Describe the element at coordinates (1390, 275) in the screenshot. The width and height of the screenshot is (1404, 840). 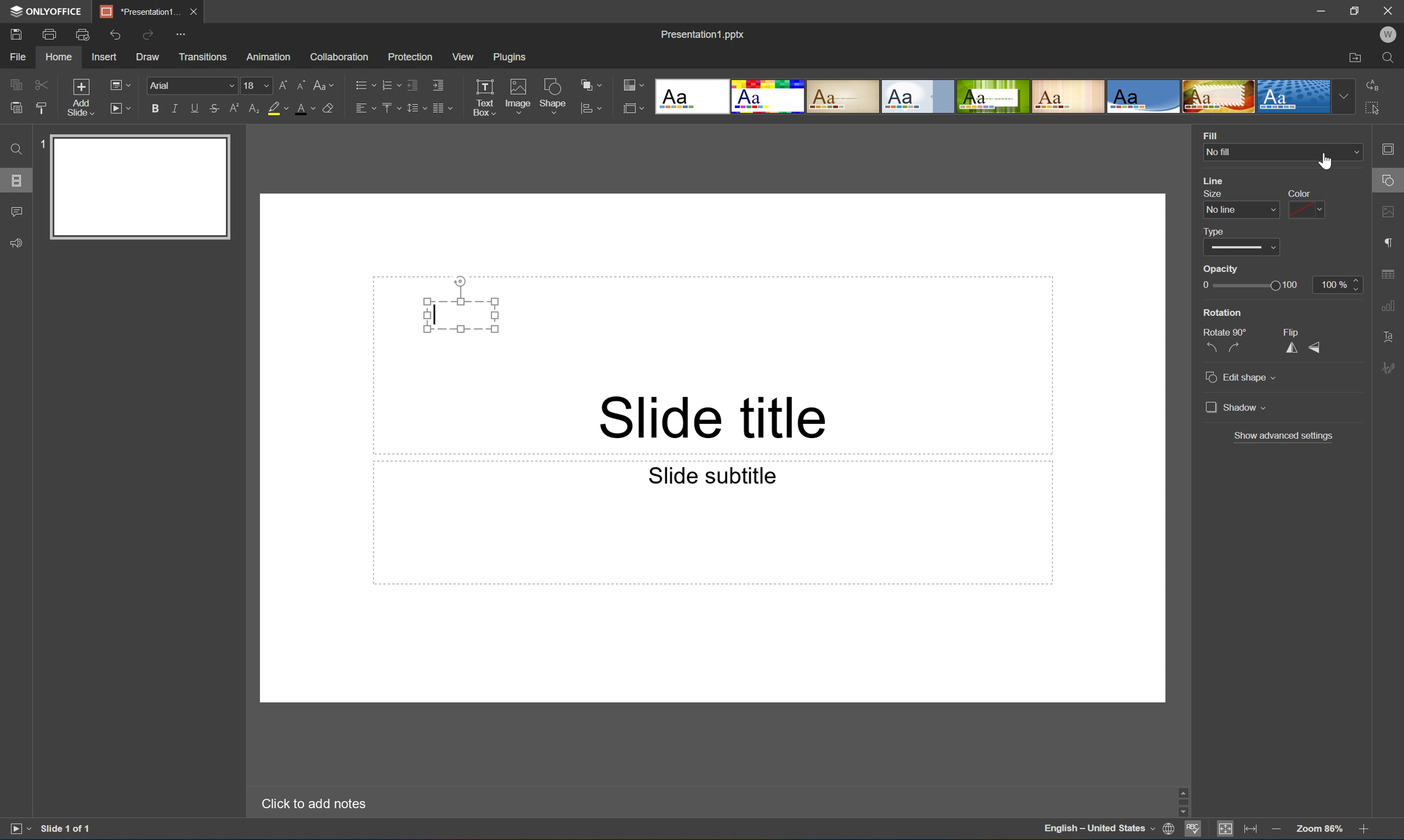
I see `table settings` at that location.